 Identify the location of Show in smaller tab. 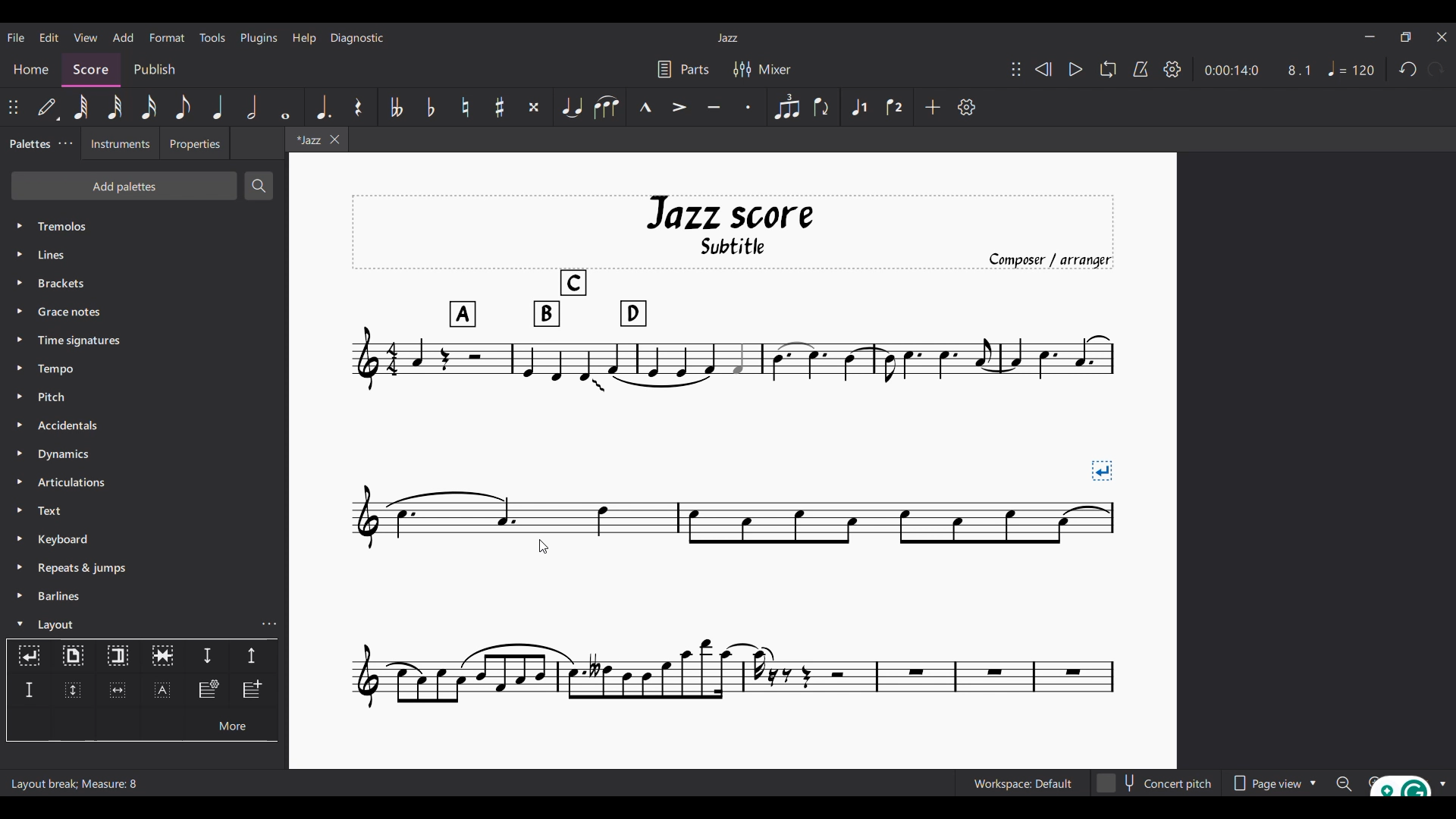
(1406, 37).